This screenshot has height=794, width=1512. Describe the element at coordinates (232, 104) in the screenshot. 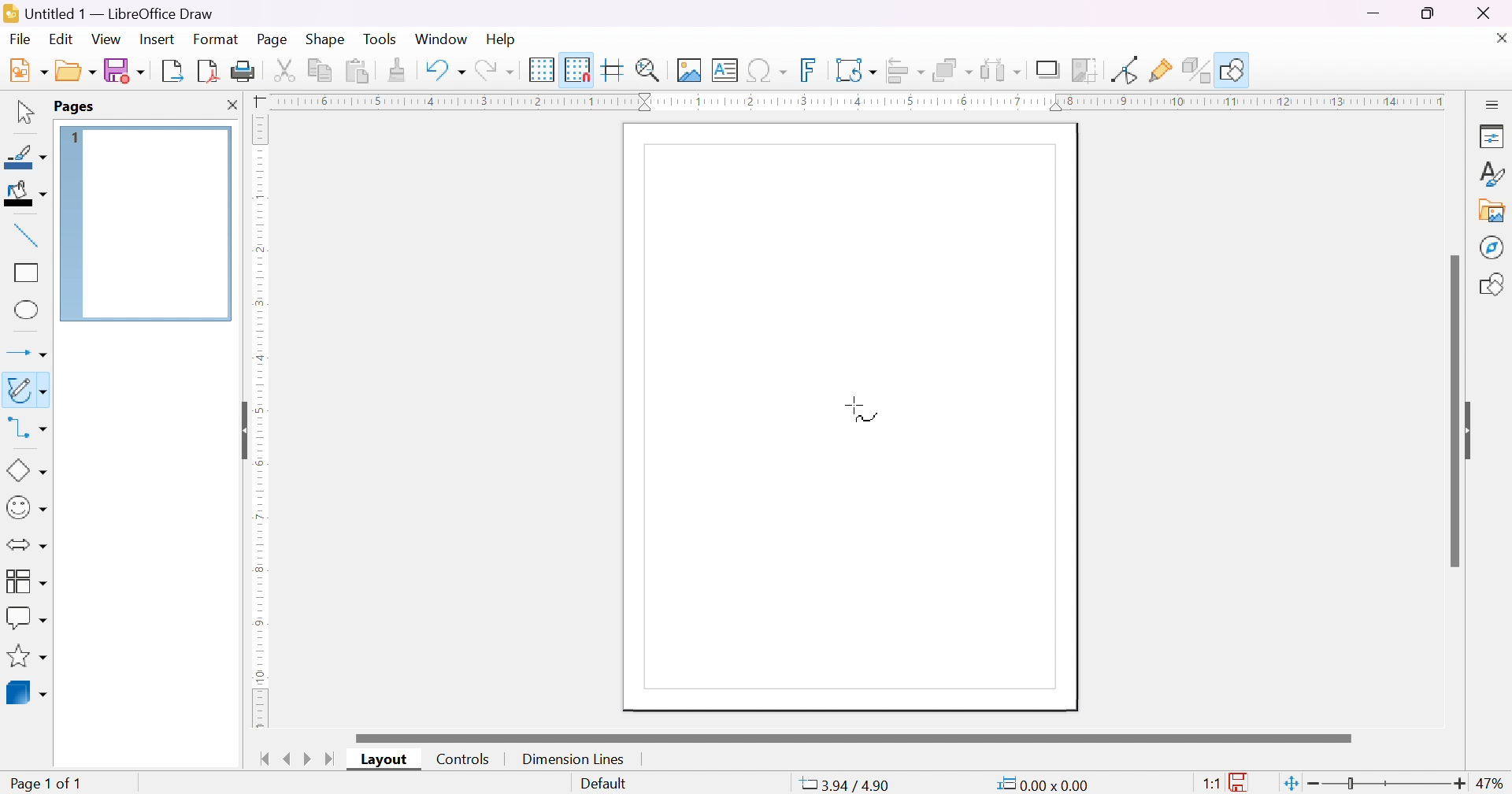

I see `close` at that location.